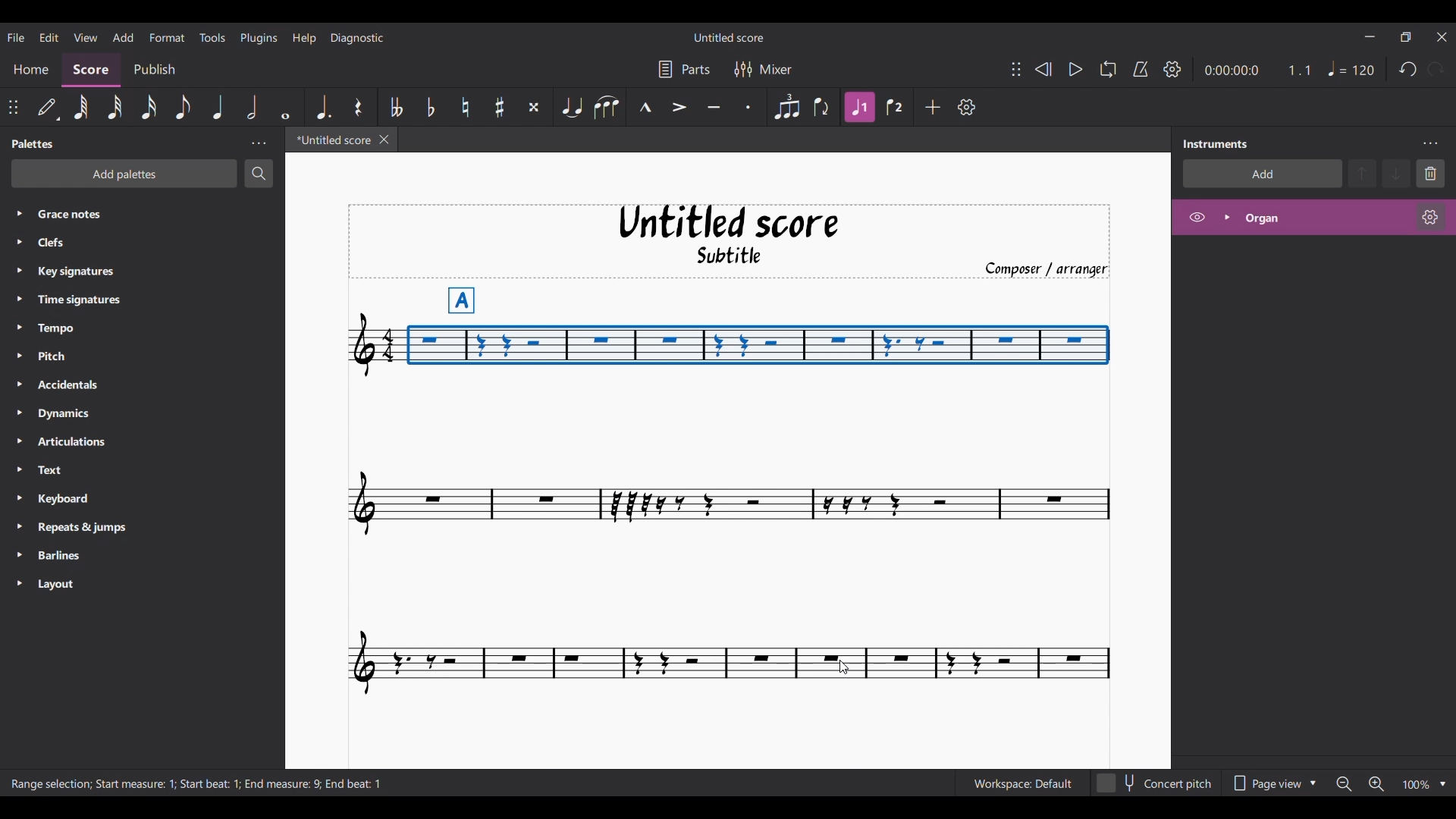 The height and width of the screenshot is (819, 1456). Describe the element at coordinates (1431, 174) in the screenshot. I see `Delete` at that location.